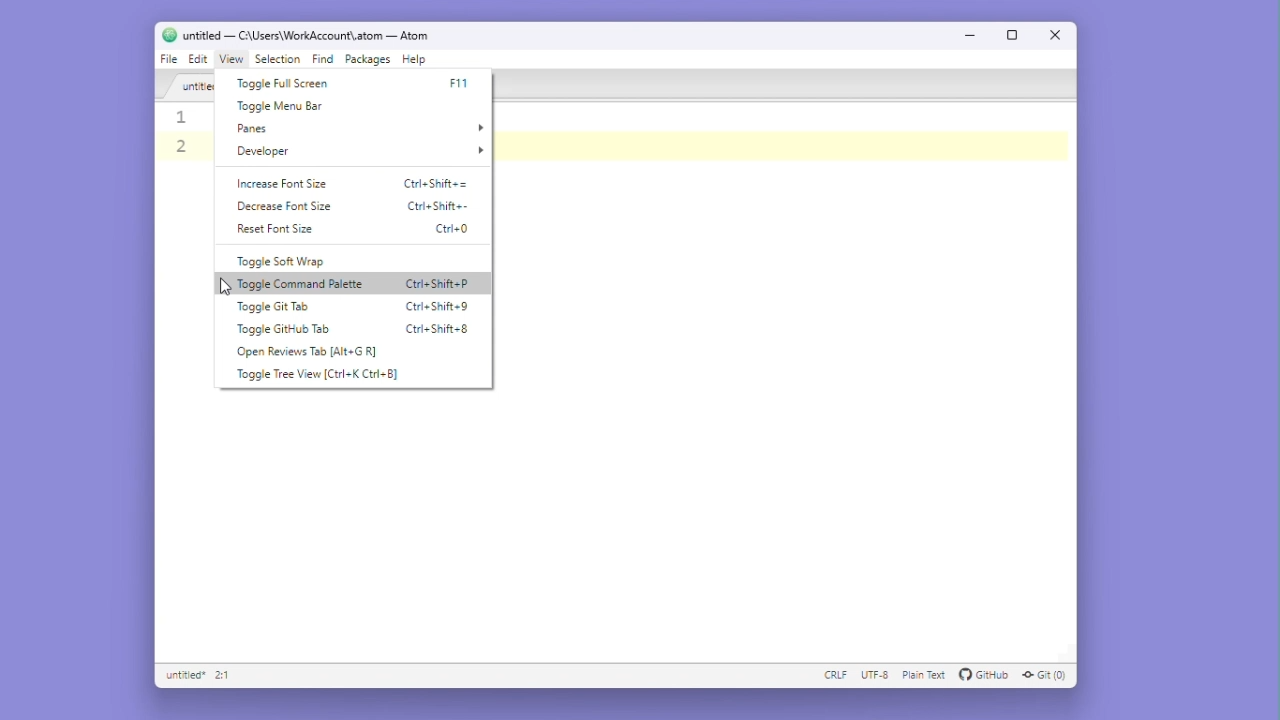 The width and height of the screenshot is (1280, 720). Describe the element at coordinates (437, 309) in the screenshot. I see `ctrl+shift+9` at that location.